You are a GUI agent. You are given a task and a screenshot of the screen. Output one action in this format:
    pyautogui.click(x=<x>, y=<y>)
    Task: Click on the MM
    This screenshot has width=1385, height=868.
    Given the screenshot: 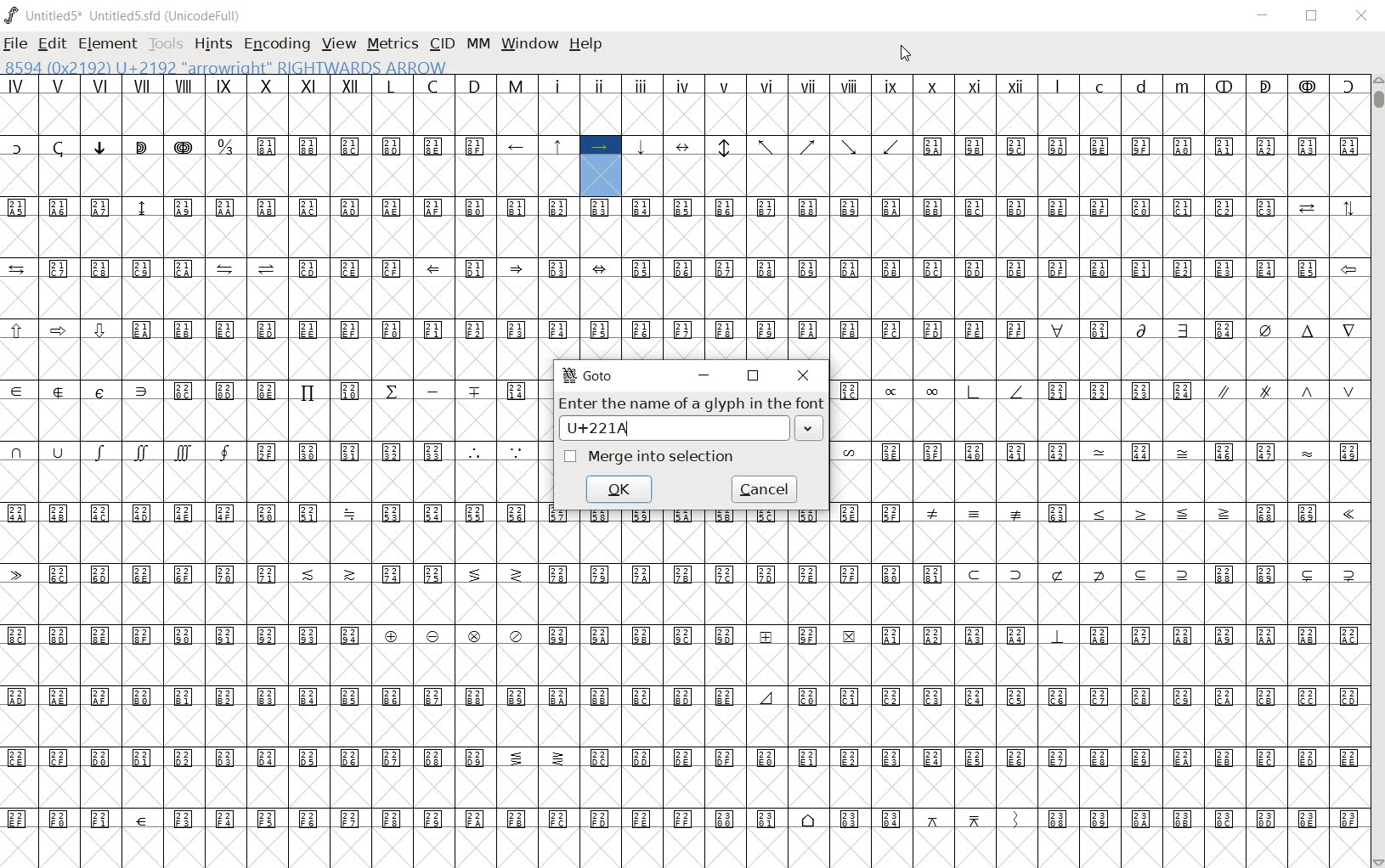 What is the action you would take?
    pyautogui.click(x=477, y=45)
    